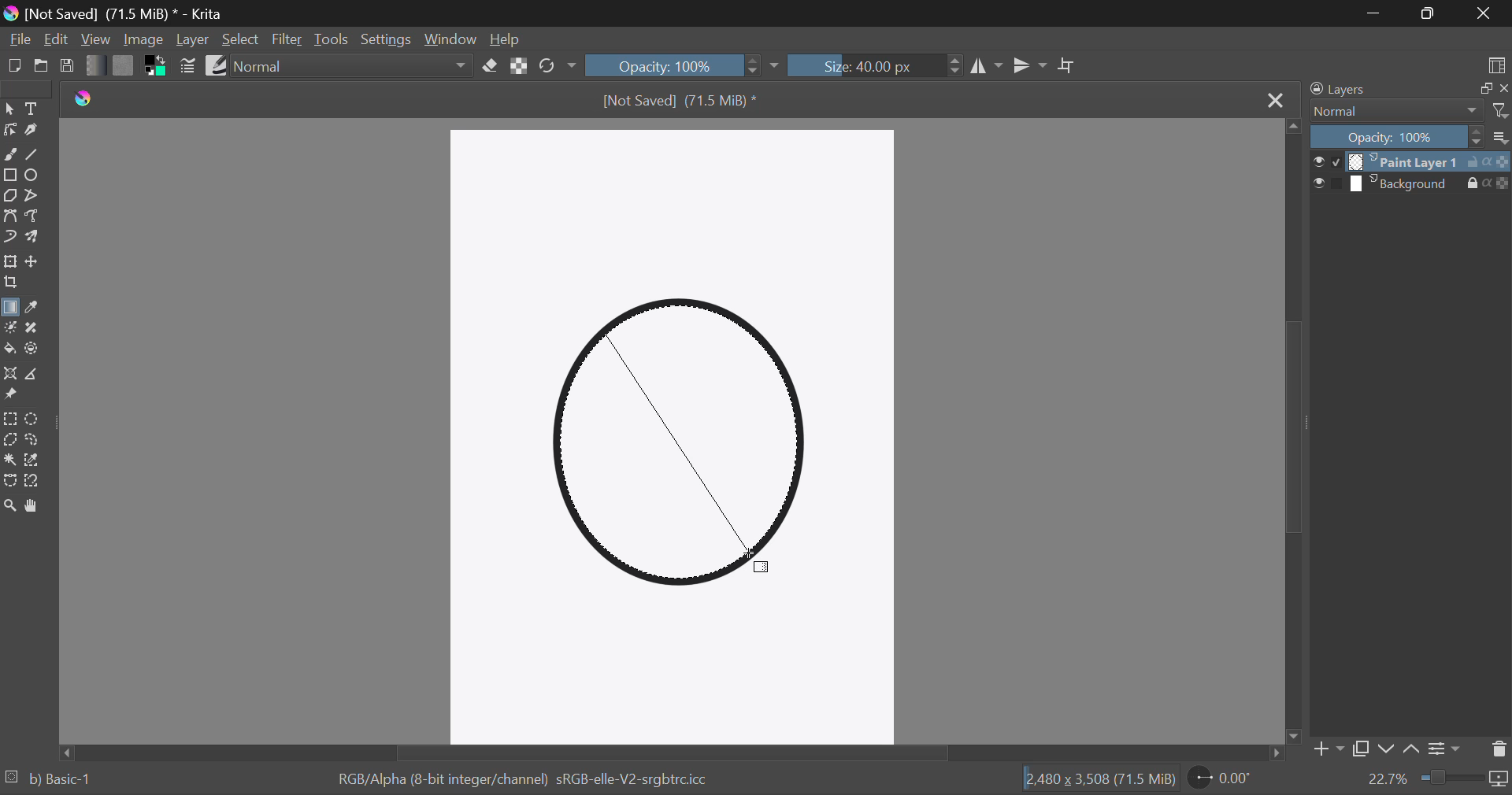 The image size is (1512, 795). Describe the element at coordinates (1220, 778) in the screenshot. I see `Rotate Page ` at that location.